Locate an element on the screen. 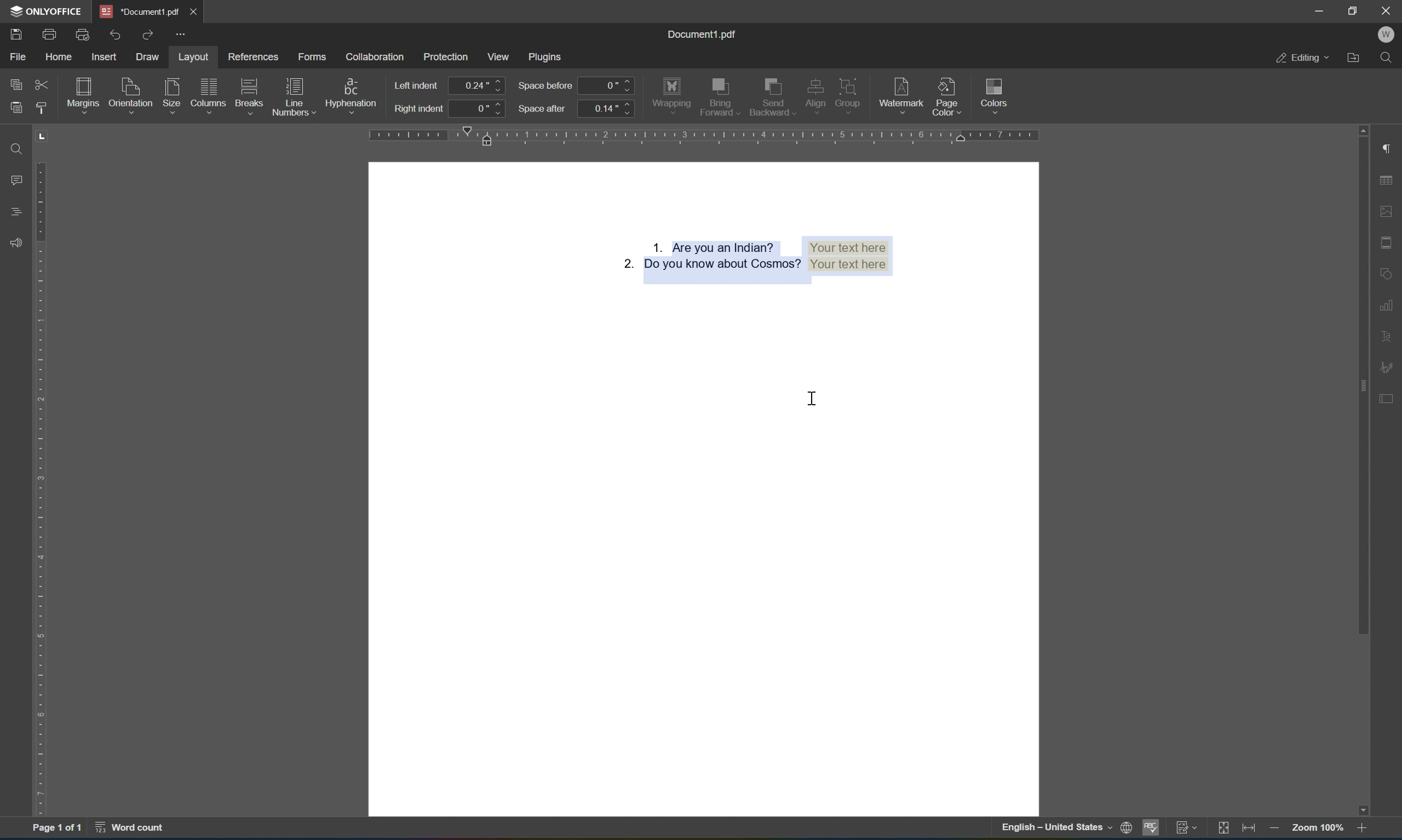  word count is located at coordinates (136, 830).